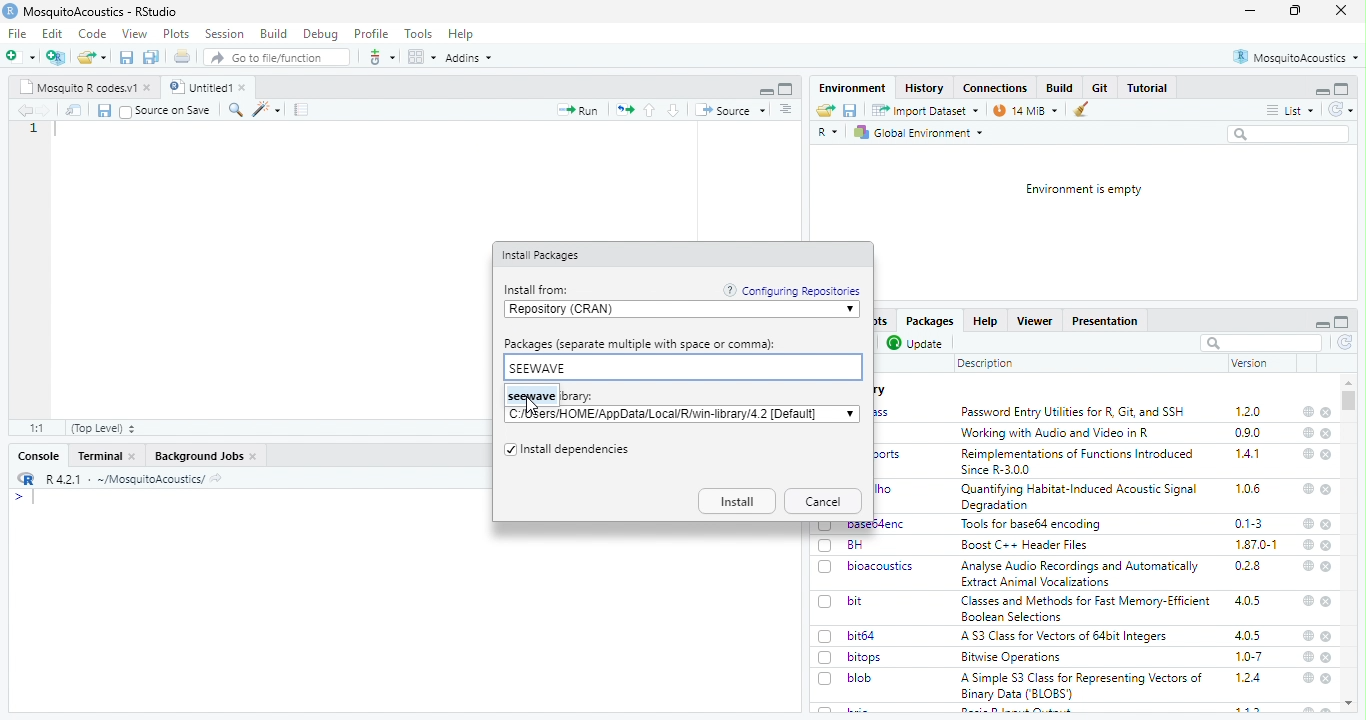 Image resolution: width=1366 pixels, height=720 pixels. I want to click on tool, so click(380, 57).